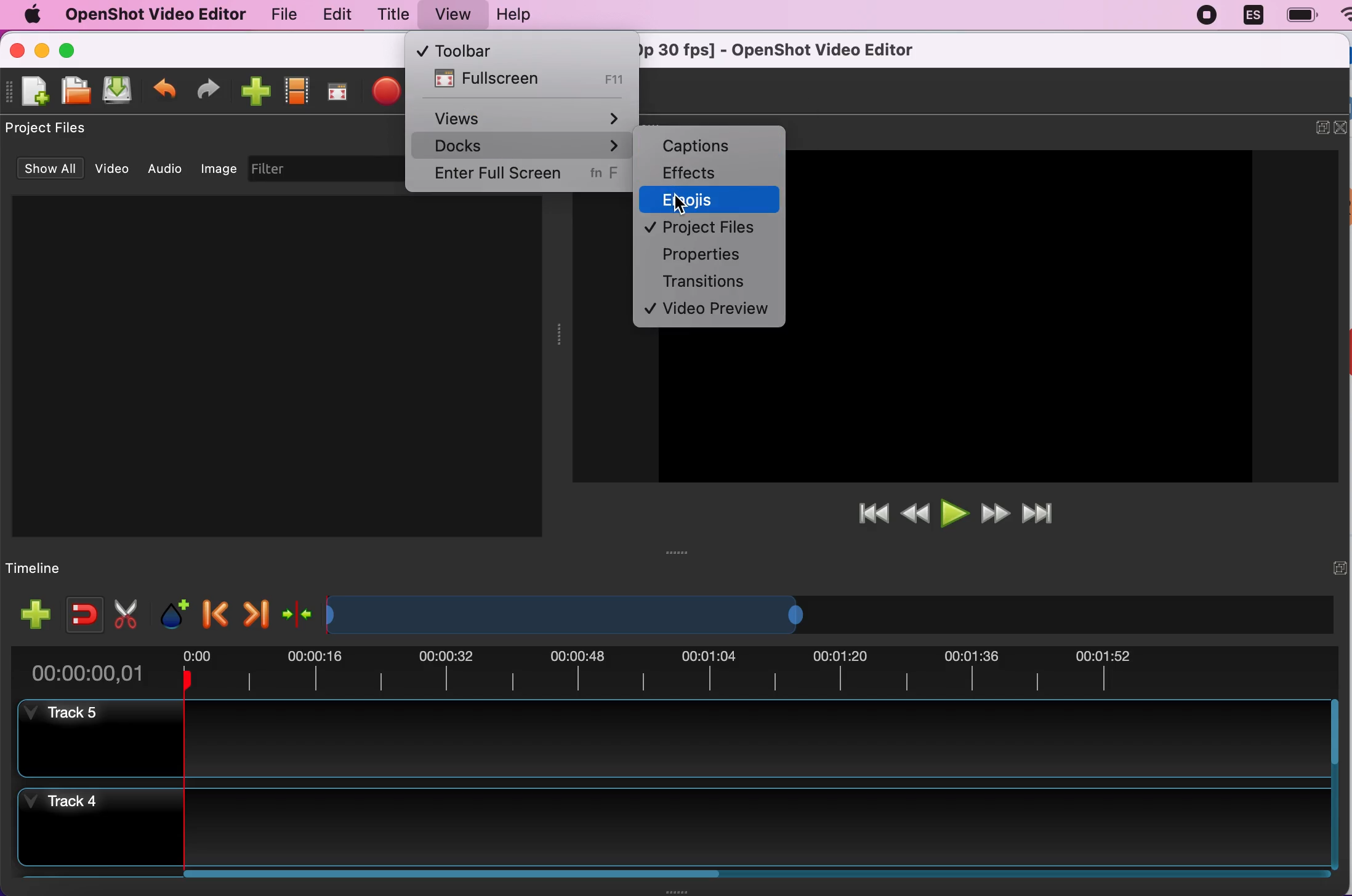 This screenshot has width=1352, height=896. I want to click on openshot video editor, so click(150, 14).